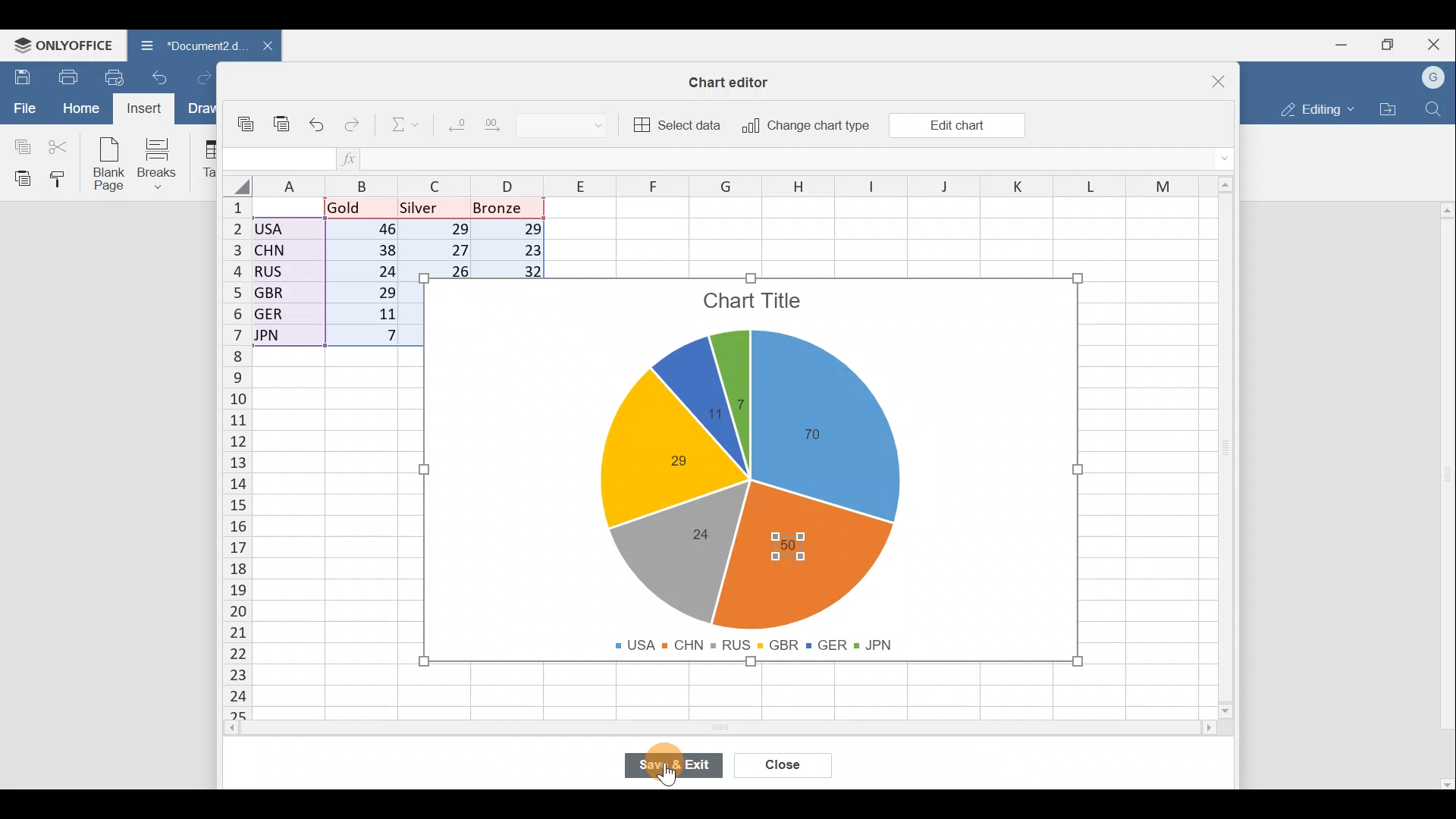 Image resolution: width=1456 pixels, height=819 pixels. What do you see at coordinates (825, 438) in the screenshot?
I see `Chart label` at bounding box center [825, 438].